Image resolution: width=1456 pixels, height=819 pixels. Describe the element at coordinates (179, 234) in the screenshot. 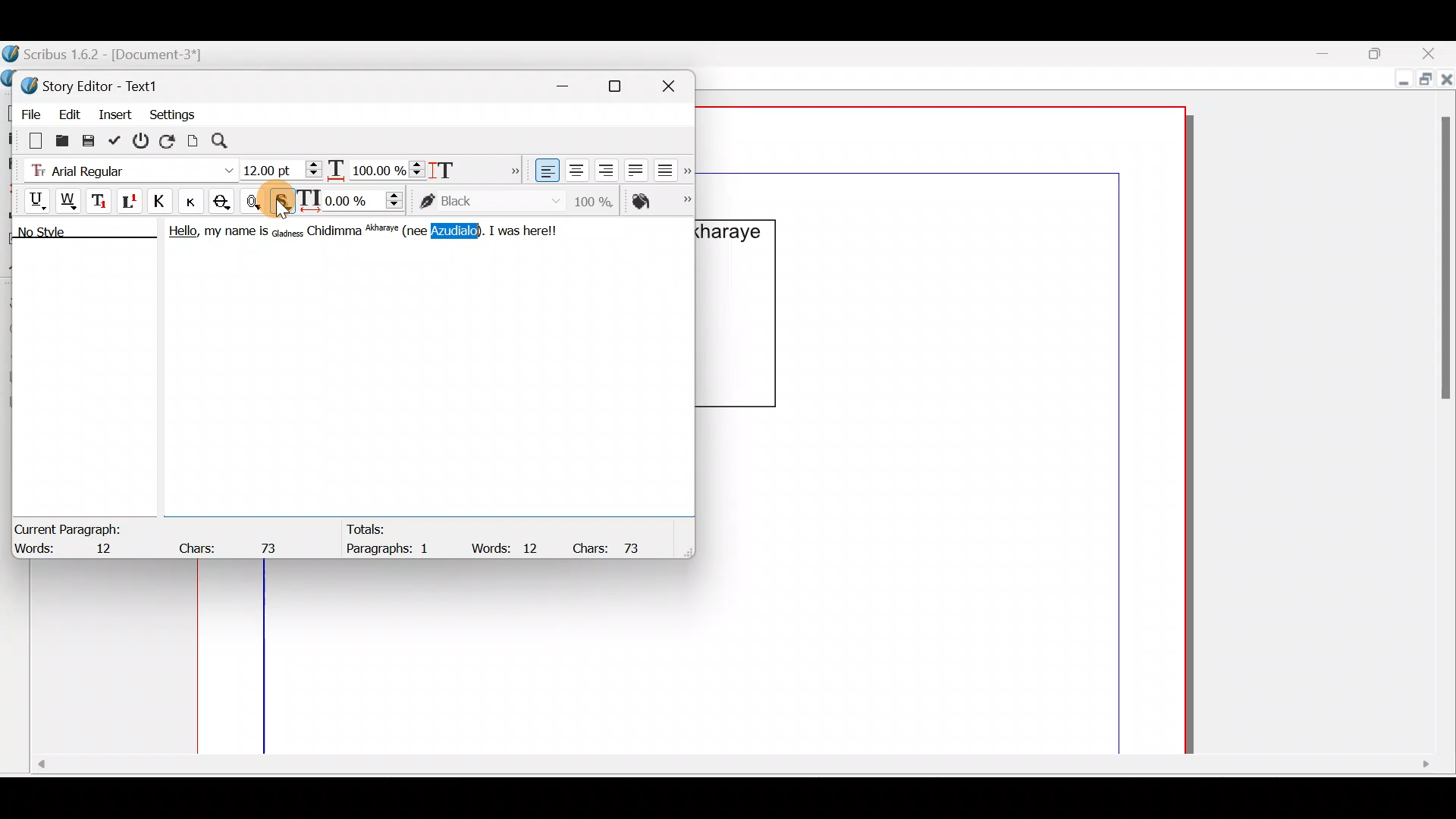

I see `Hello,` at that location.